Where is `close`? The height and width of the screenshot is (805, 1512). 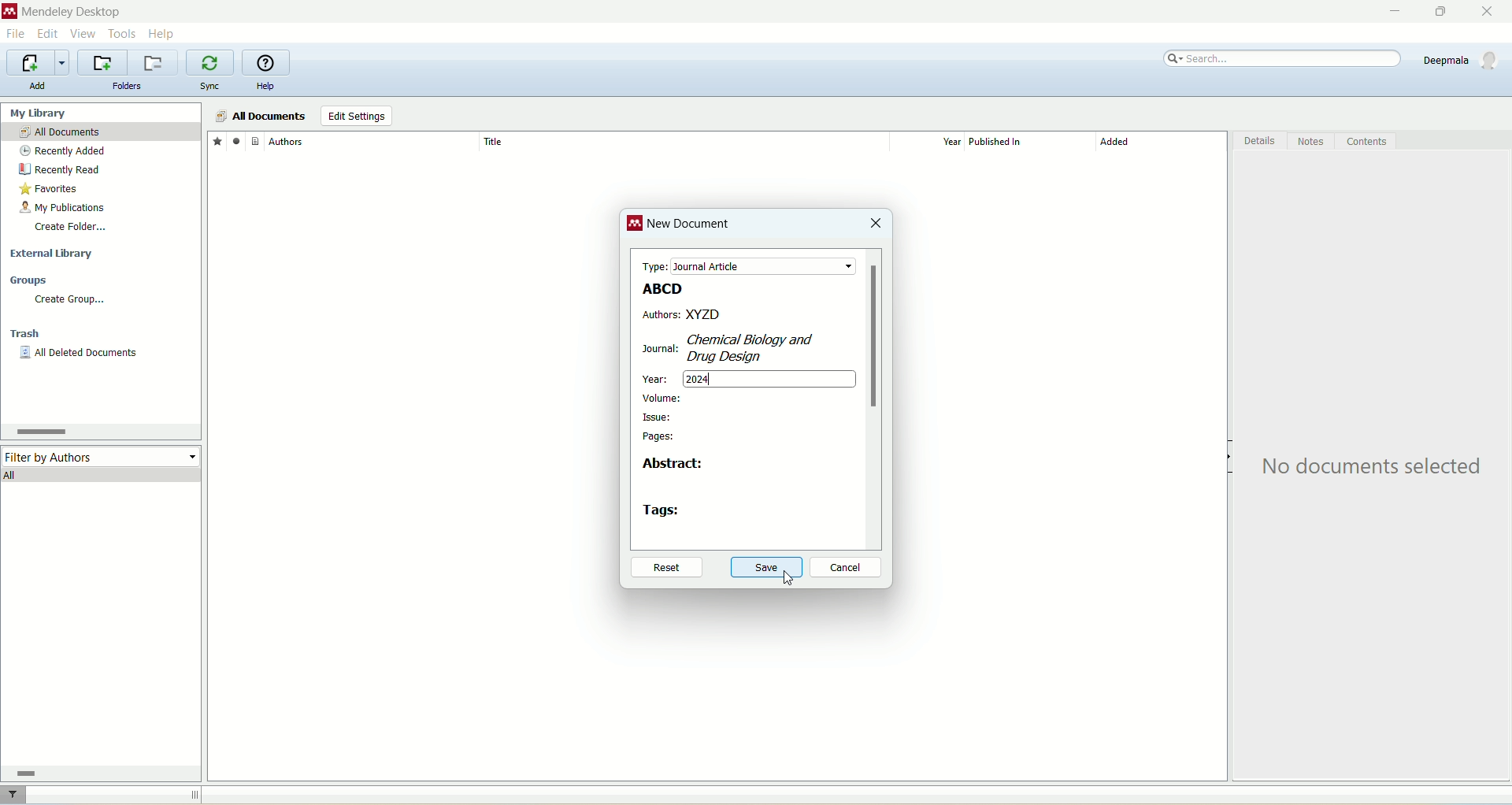
close is located at coordinates (1494, 12).